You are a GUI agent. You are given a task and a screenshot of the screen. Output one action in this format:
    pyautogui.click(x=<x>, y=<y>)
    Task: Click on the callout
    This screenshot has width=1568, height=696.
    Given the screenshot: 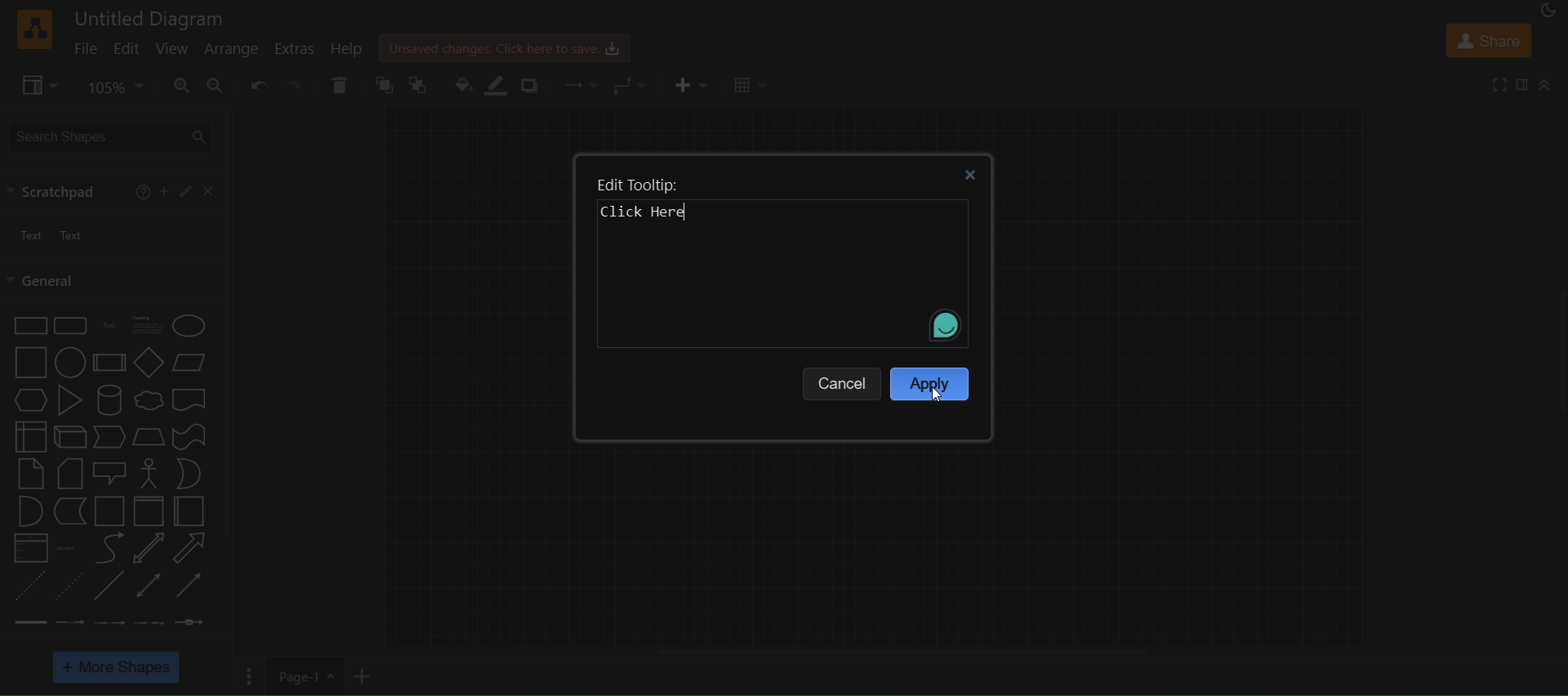 What is the action you would take?
    pyautogui.click(x=109, y=473)
    